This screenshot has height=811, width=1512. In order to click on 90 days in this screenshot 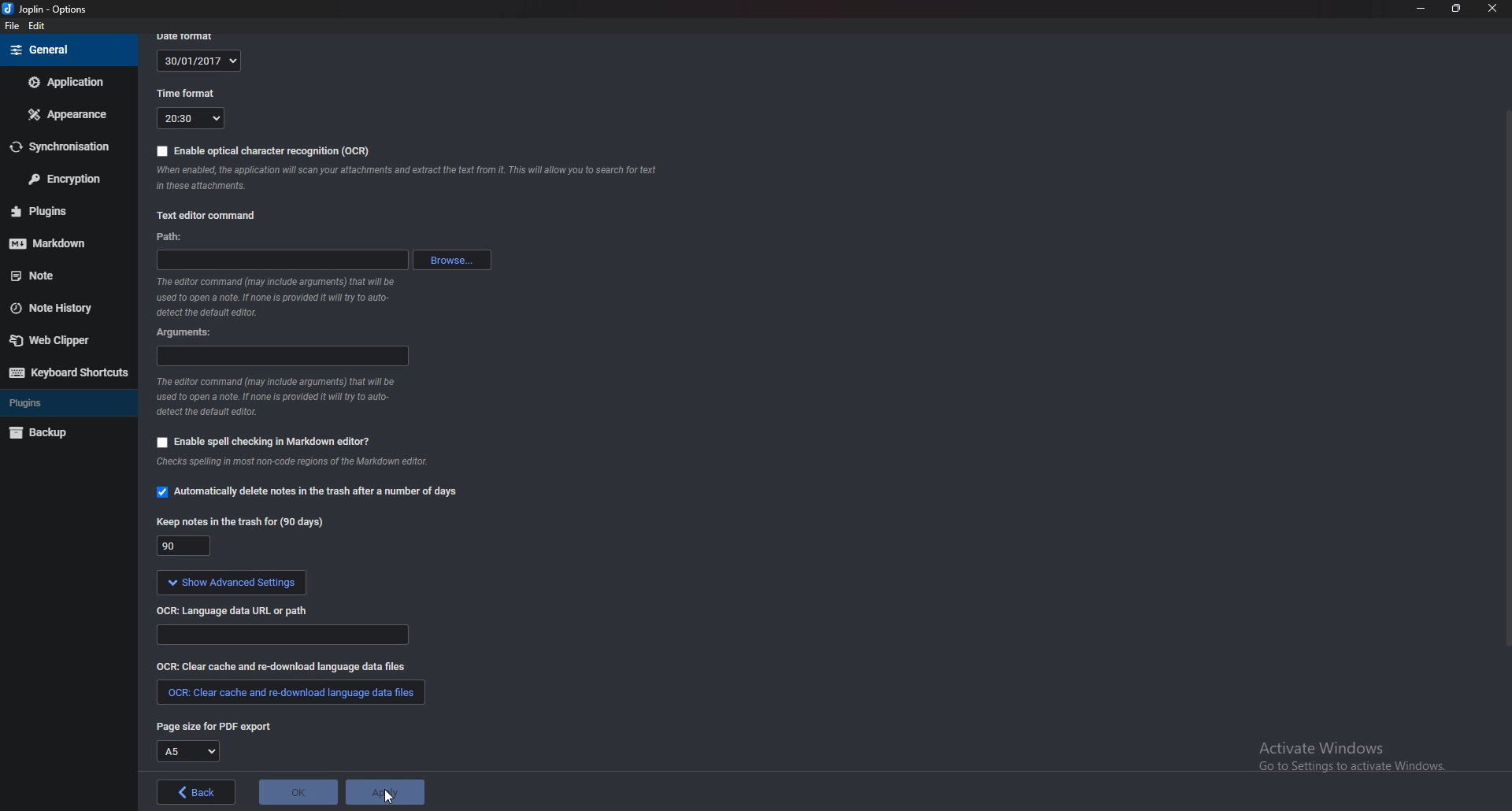, I will do `click(181, 546)`.